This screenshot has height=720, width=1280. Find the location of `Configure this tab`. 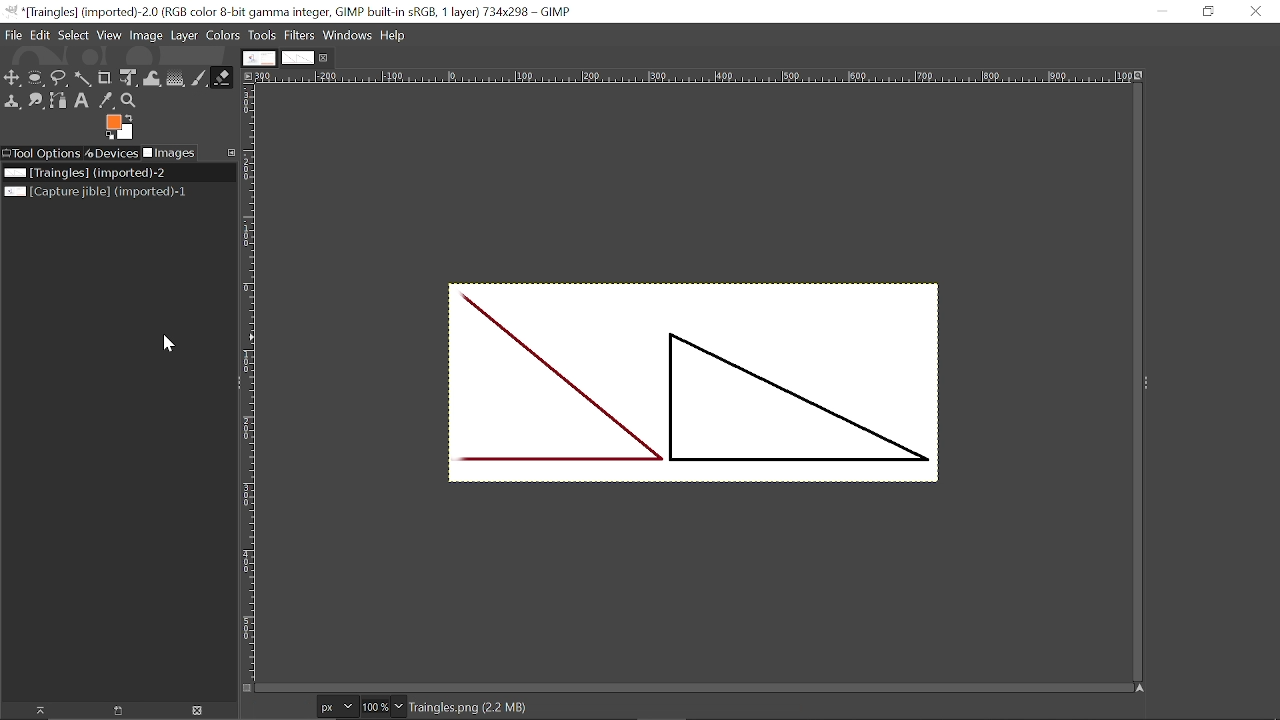

Configure this tab is located at coordinates (229, 154).